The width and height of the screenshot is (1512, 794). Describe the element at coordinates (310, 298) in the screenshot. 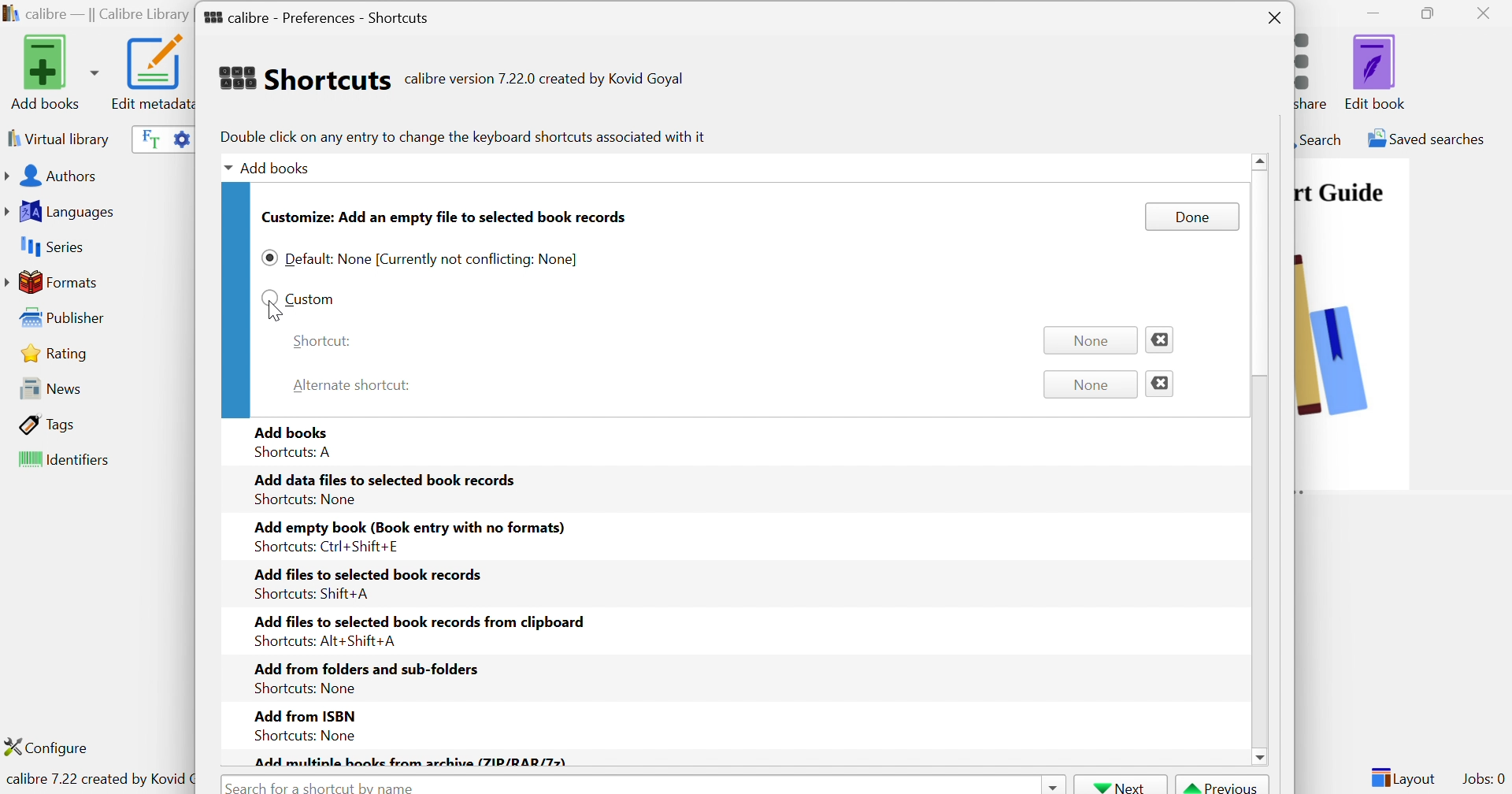

I see `Custom` at that location.